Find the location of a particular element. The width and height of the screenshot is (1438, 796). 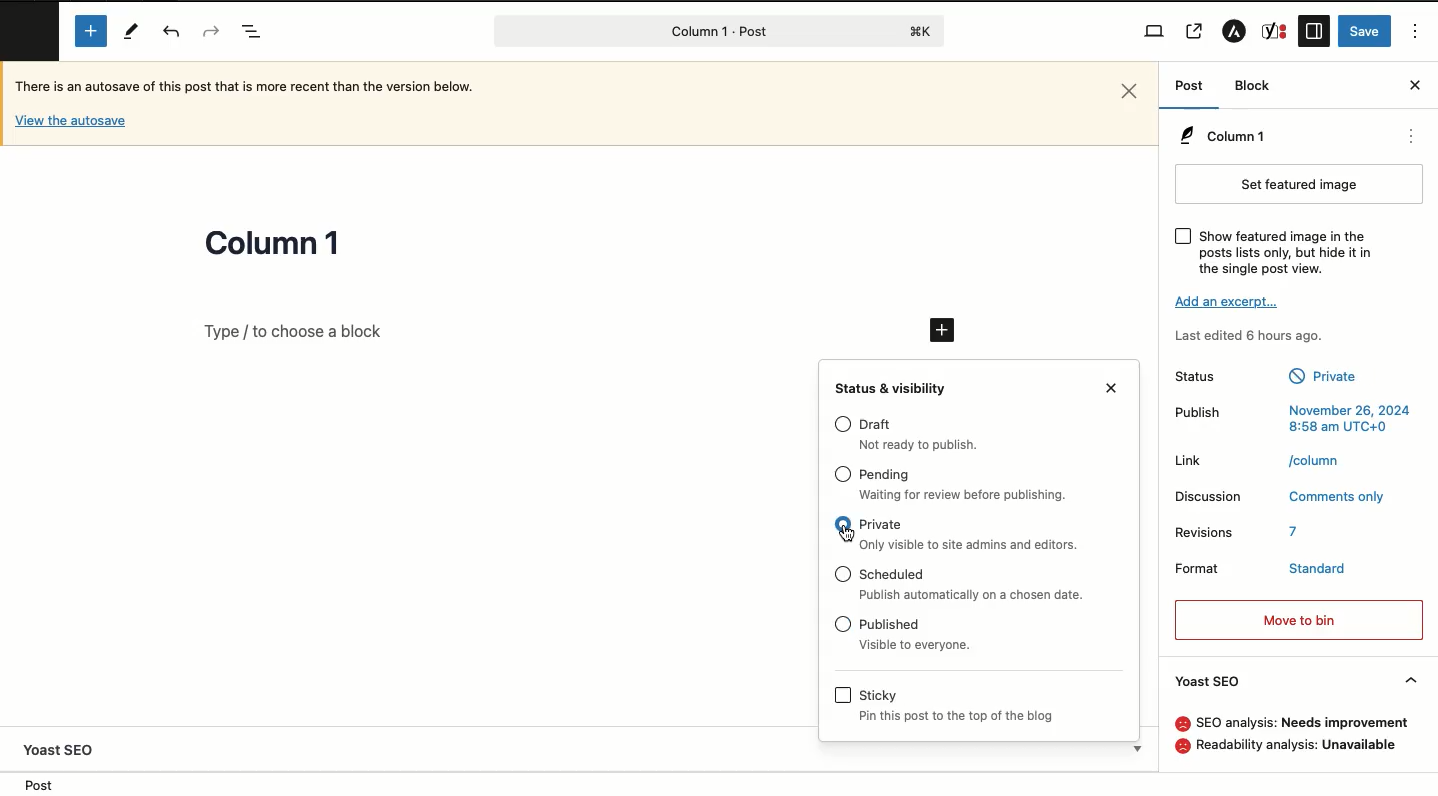

Private is located at coordinates (881, 524).